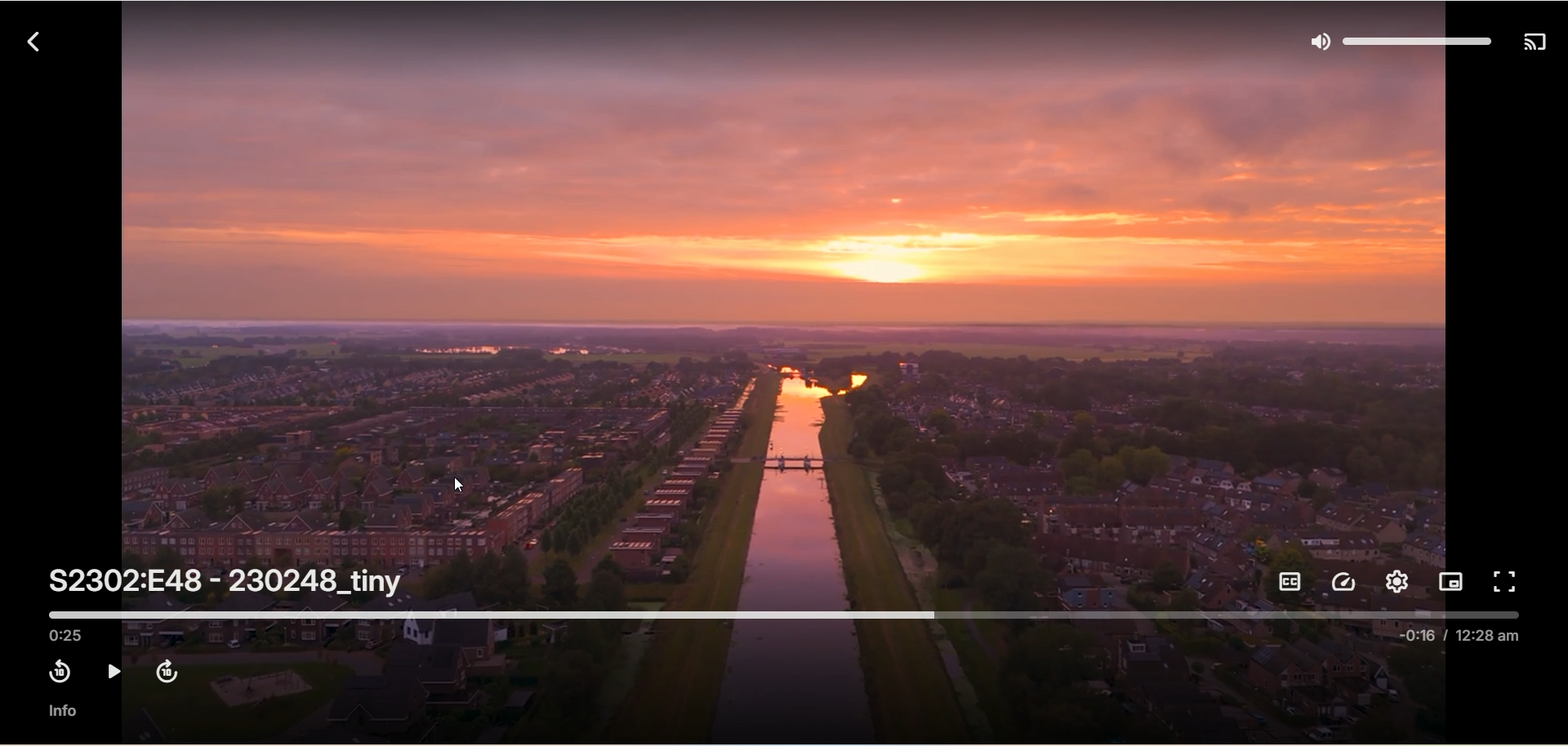  I want to click on played time- 0:25, so click(69, 635).